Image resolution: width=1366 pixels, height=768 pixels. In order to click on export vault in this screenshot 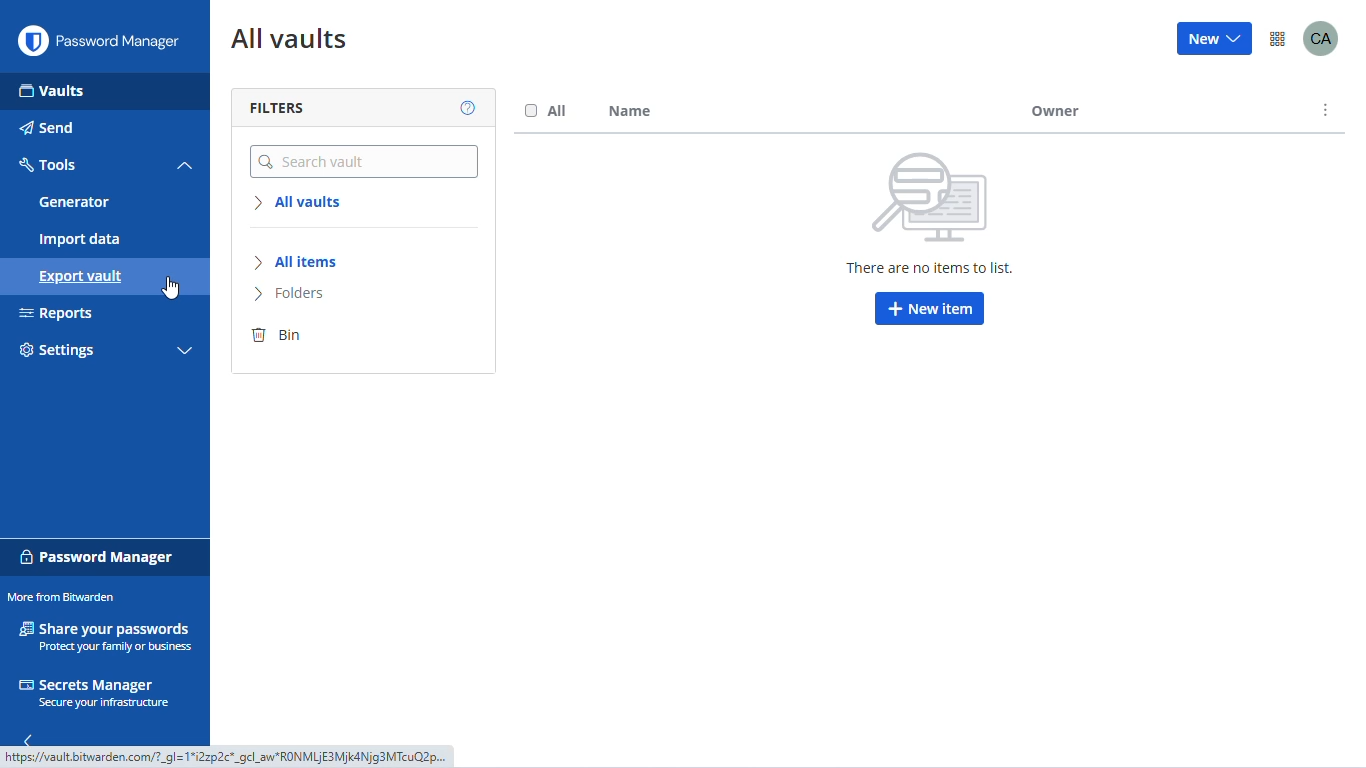, I will do `click(80, 278)`.